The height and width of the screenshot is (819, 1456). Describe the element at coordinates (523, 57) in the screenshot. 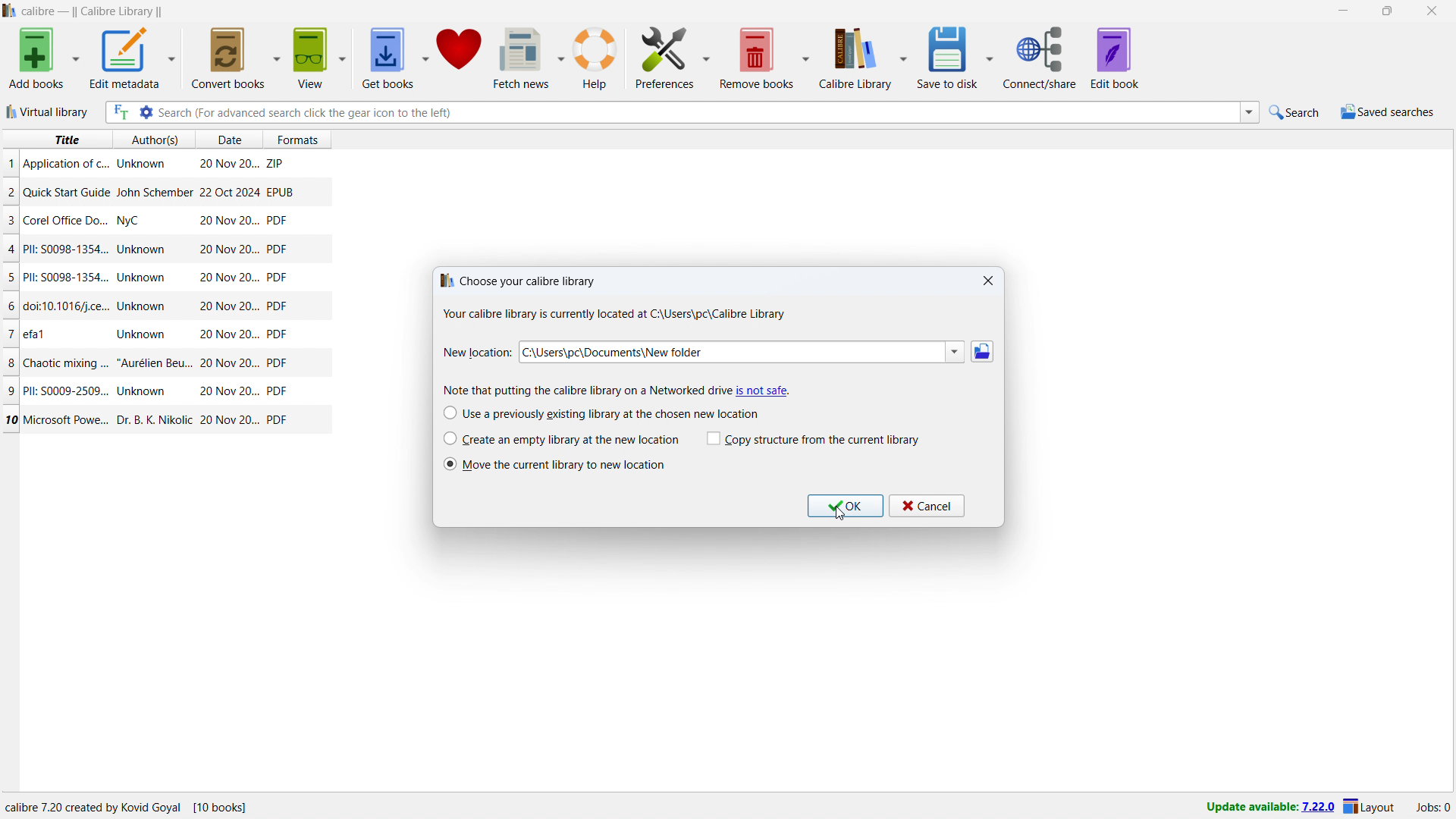

I see `fetch news` at that location.